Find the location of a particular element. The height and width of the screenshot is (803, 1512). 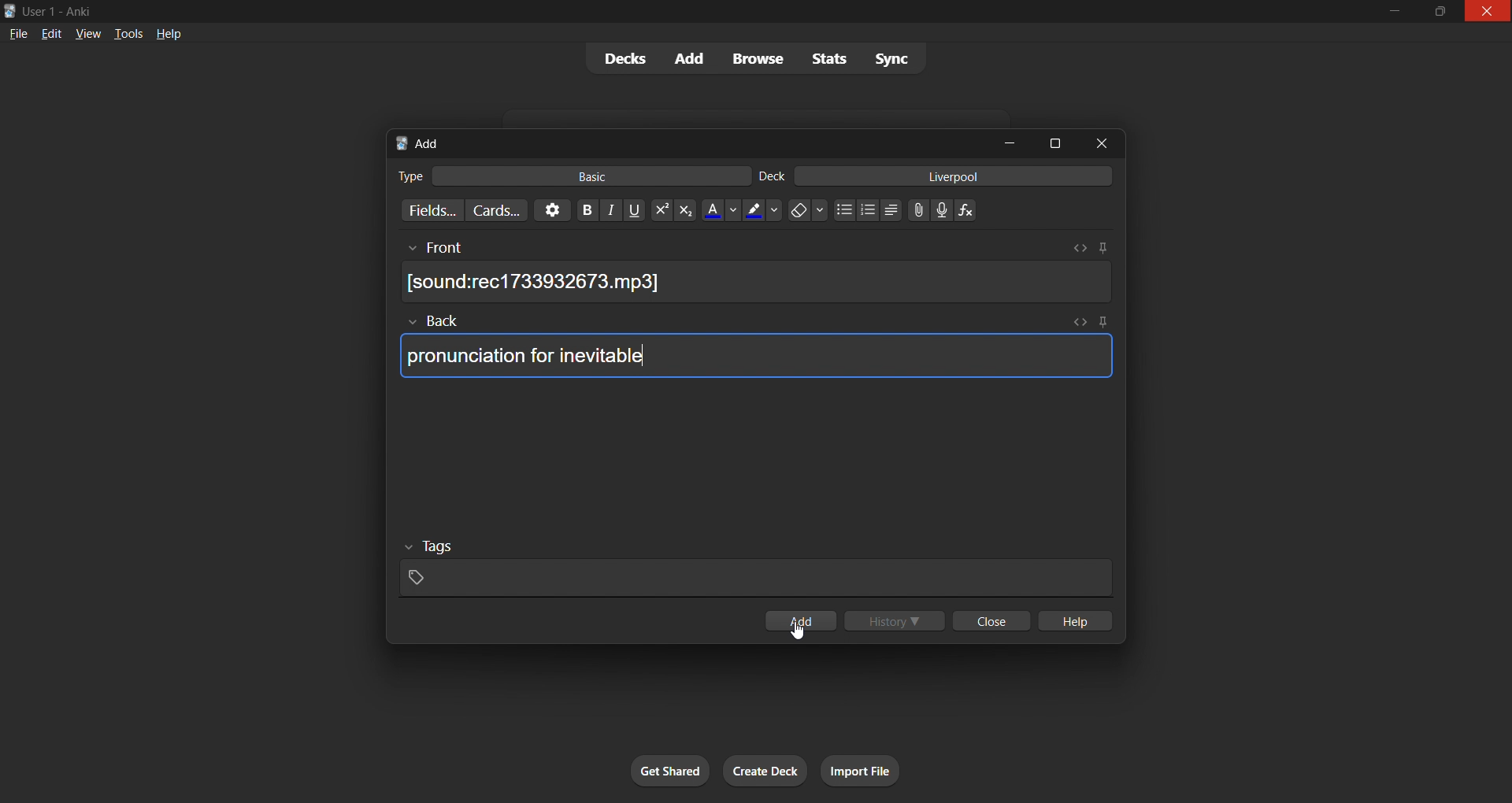

close is located at coordinates (1095, 144).